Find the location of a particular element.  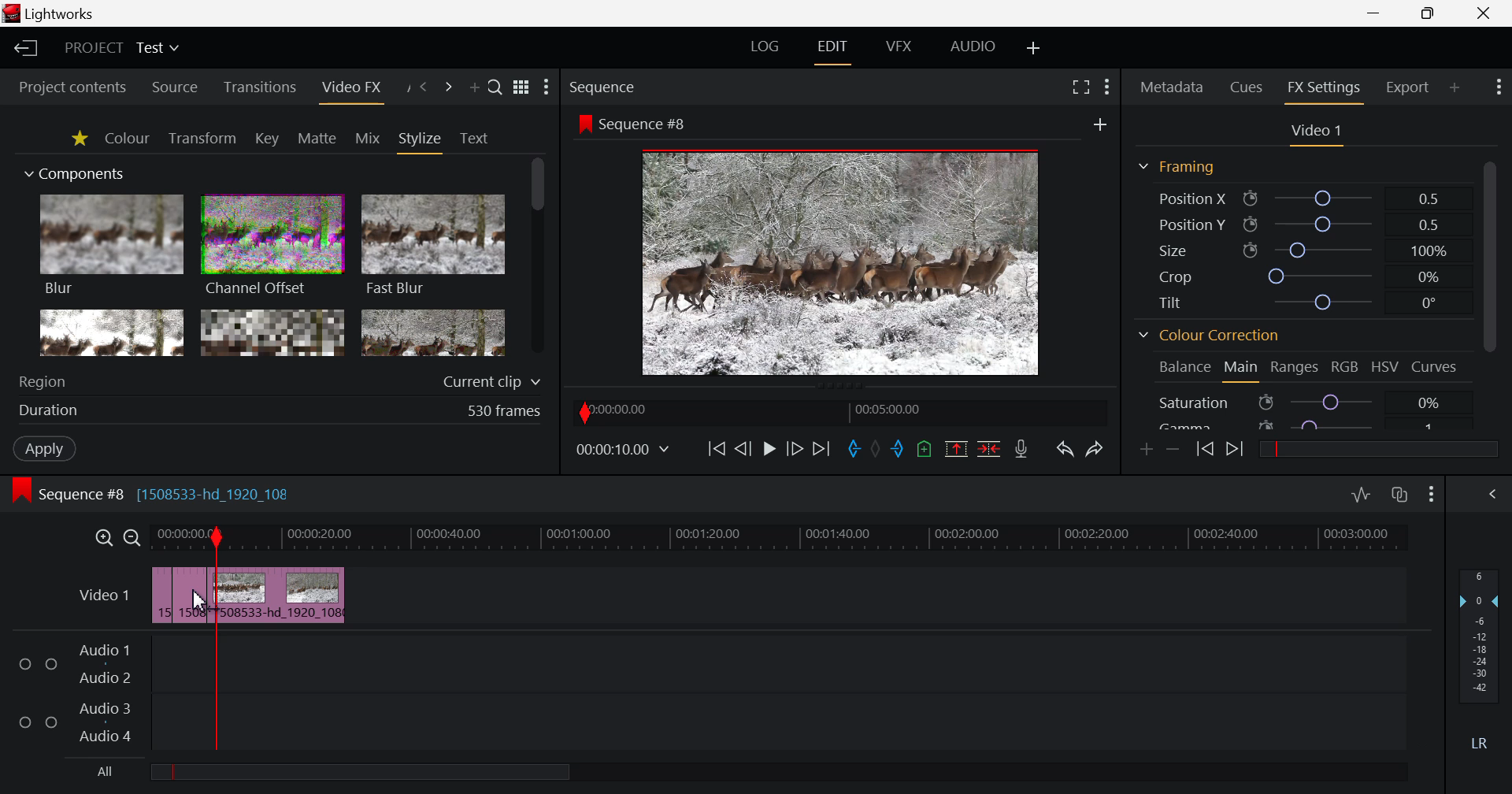

Mark Cue is located at coordinates (925, 448).